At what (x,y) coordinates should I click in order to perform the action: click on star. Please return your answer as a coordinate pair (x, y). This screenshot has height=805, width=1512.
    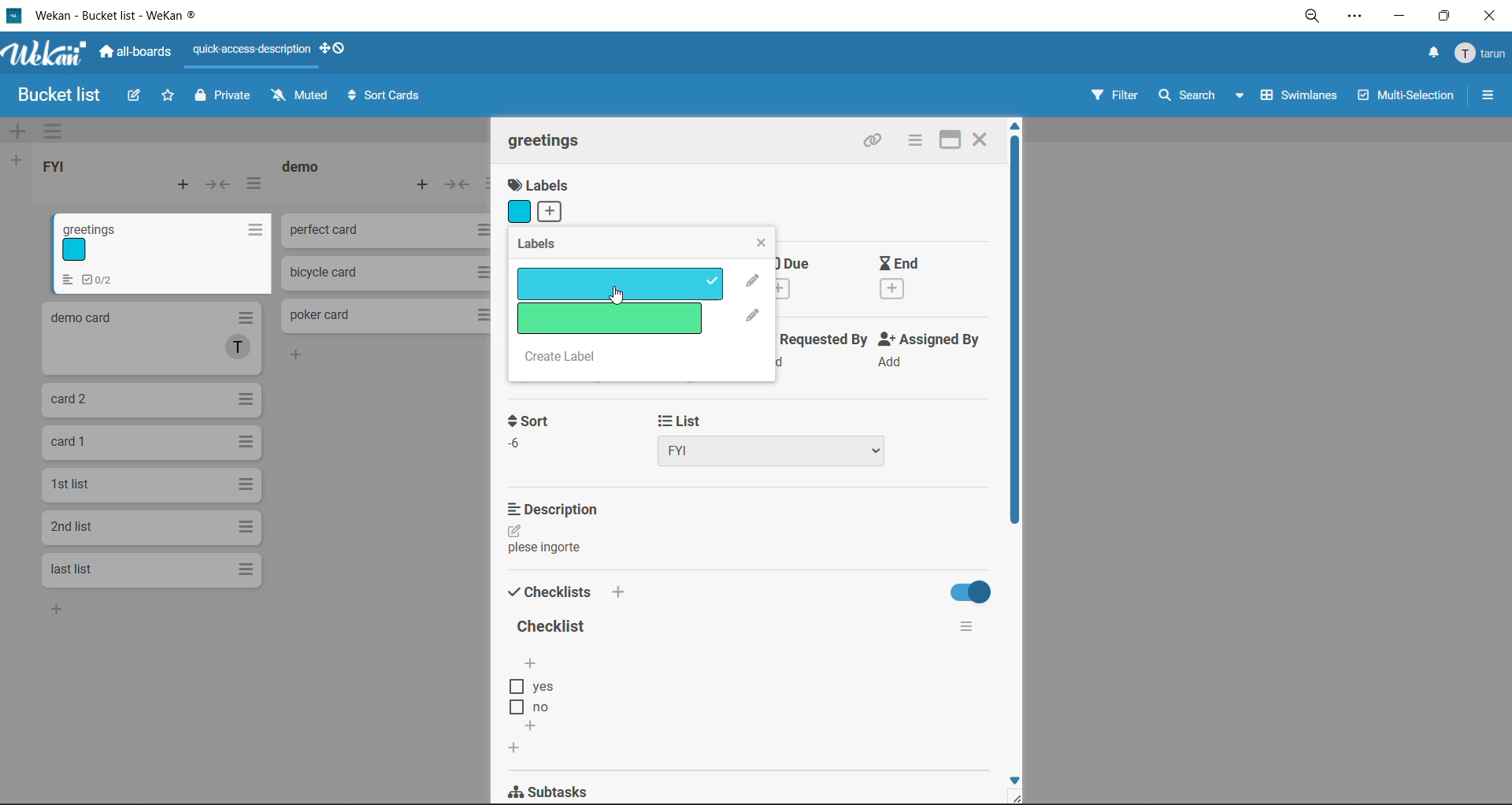
    Looking at the image, I should click on (169, 98).